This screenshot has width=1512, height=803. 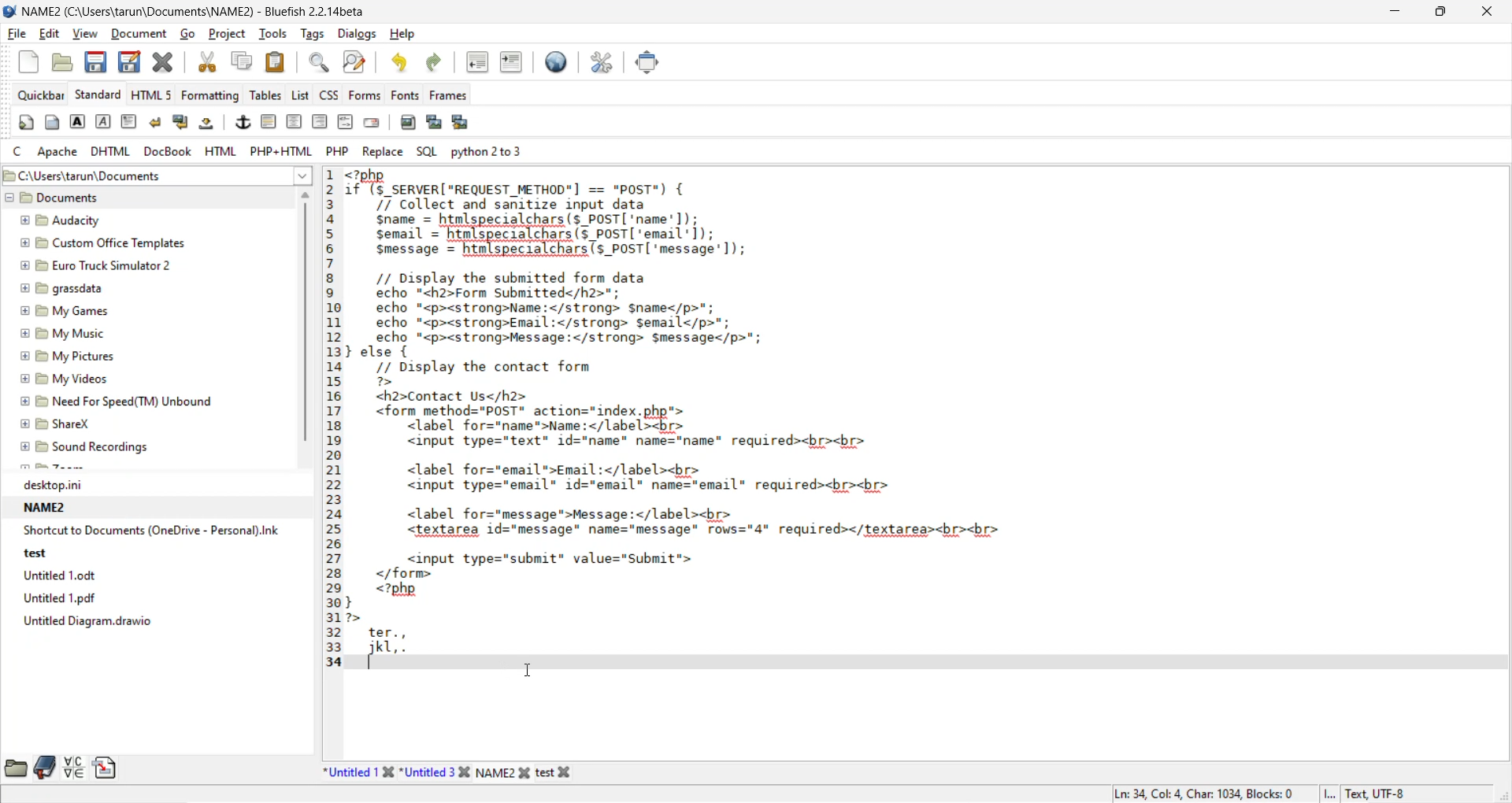 I want to click on Sound Recordings, so click(x=92, y=446).